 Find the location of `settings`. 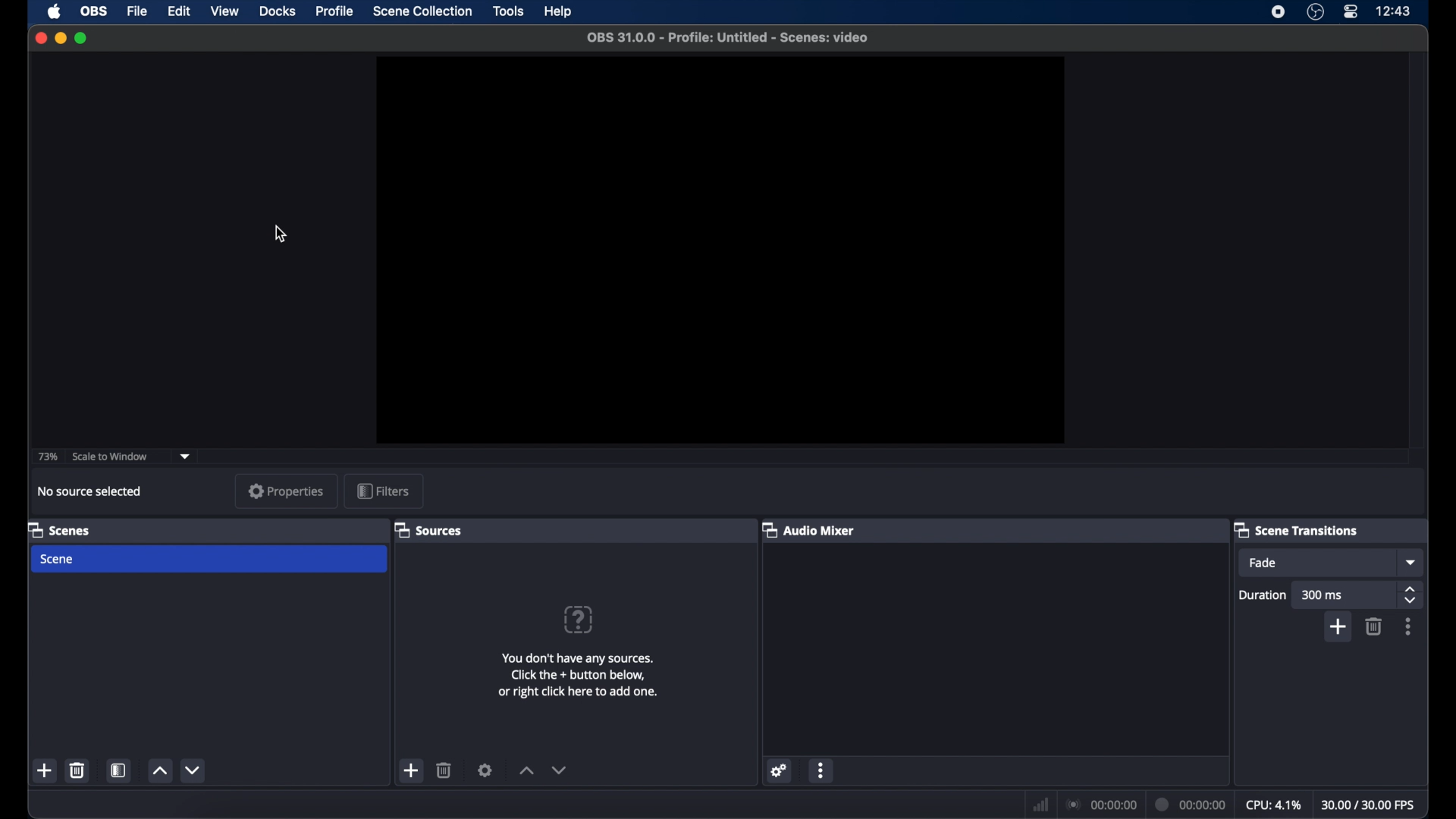

settings is located at coordinates (488, 770).